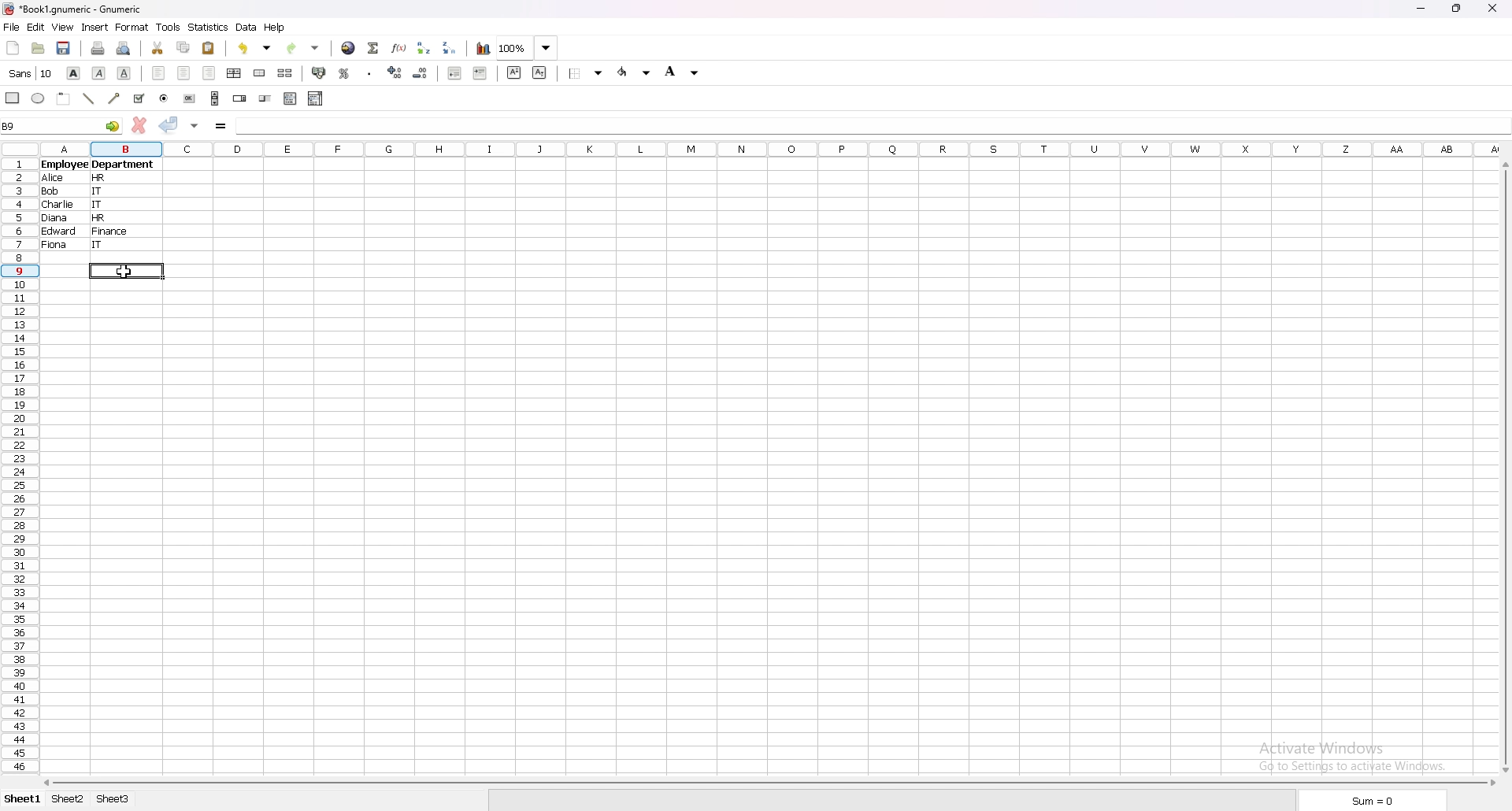 Image resolution: width=1512 pixels, height=811 pixels. I want to click on statistics, so click(209, 28).